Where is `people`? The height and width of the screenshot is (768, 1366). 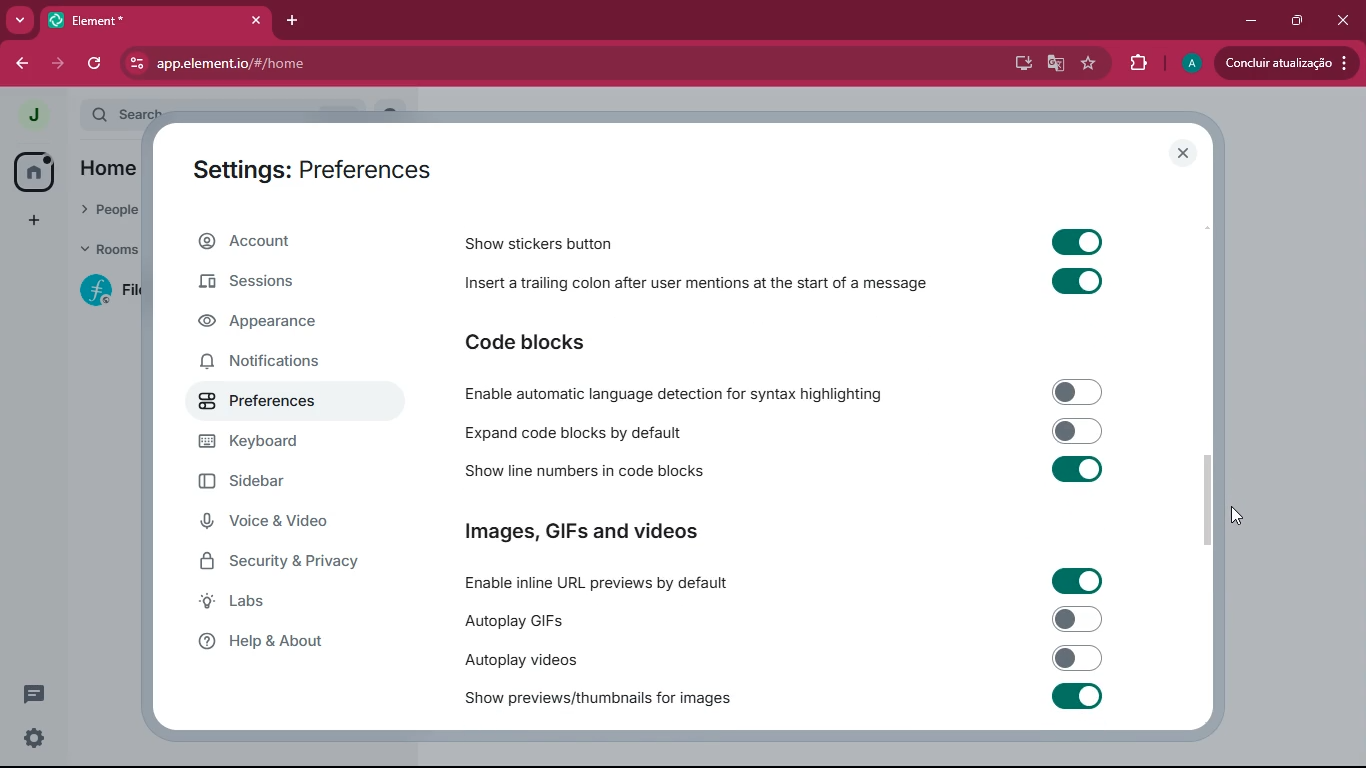 people is located at coordinates (110, 211).